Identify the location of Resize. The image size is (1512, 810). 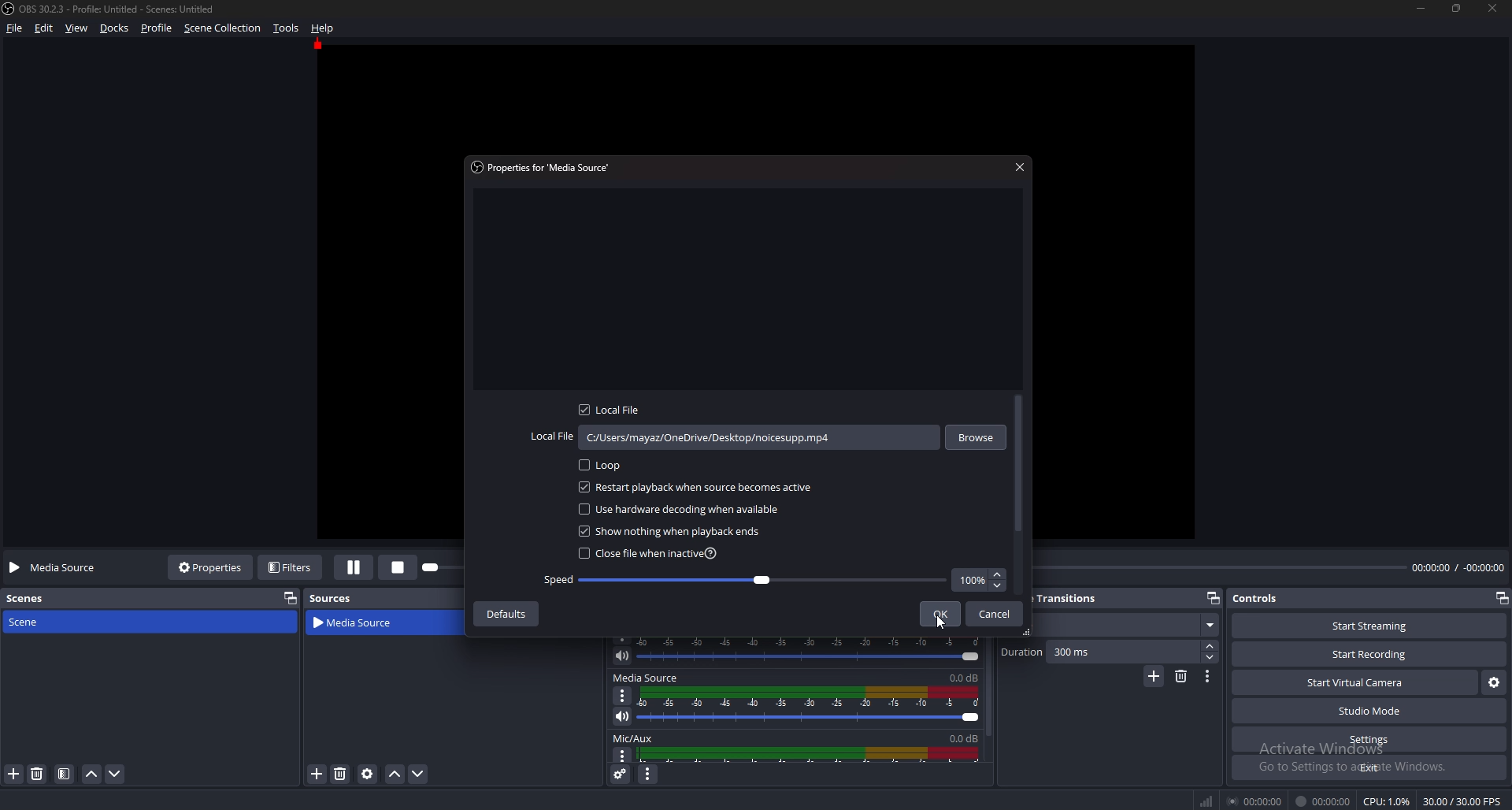
(1457, 7).